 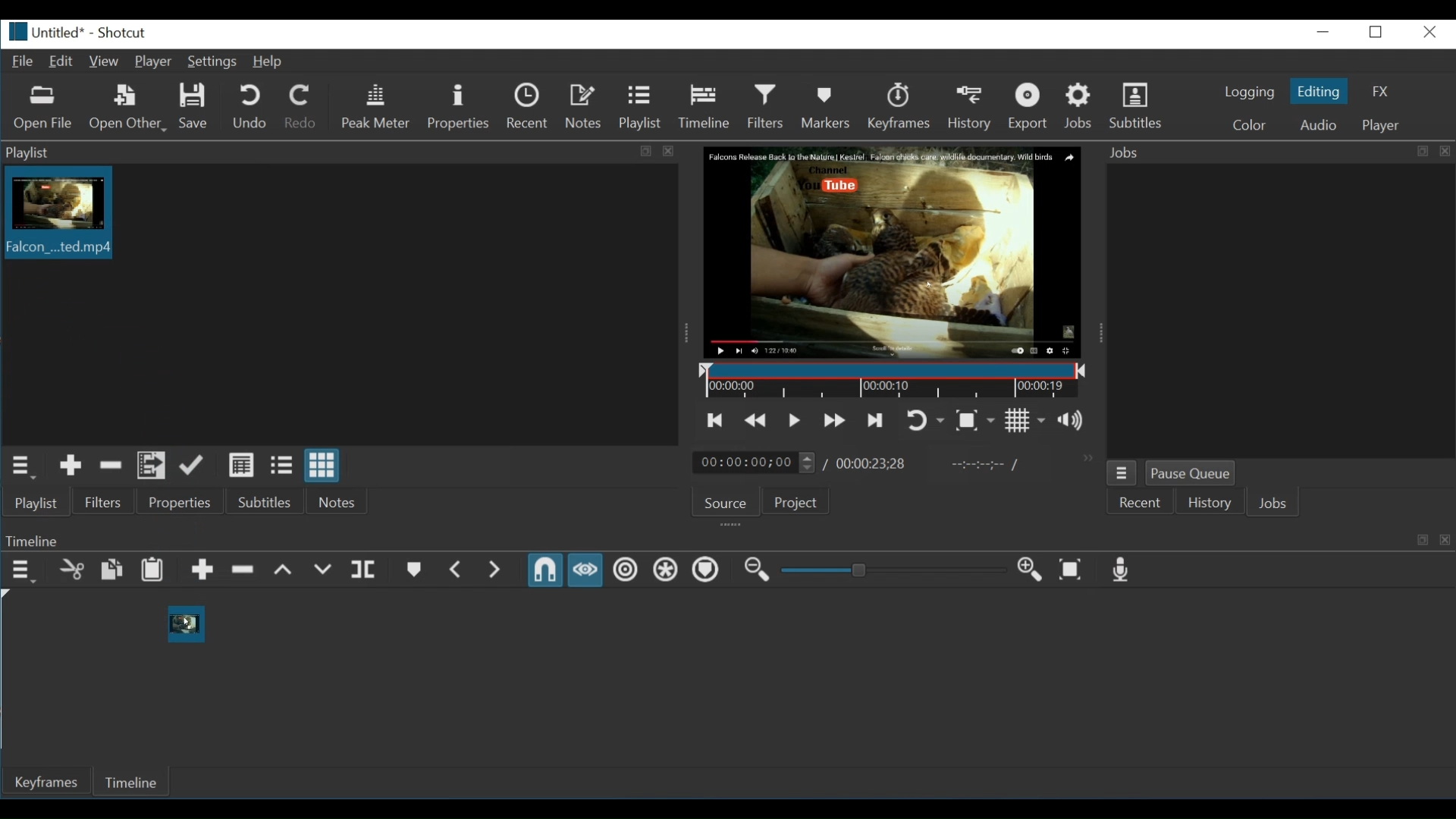 What do you see at coordinates (903, 106) in the screenshot?
I see `Keyframes` at bounding box center [903, 106].